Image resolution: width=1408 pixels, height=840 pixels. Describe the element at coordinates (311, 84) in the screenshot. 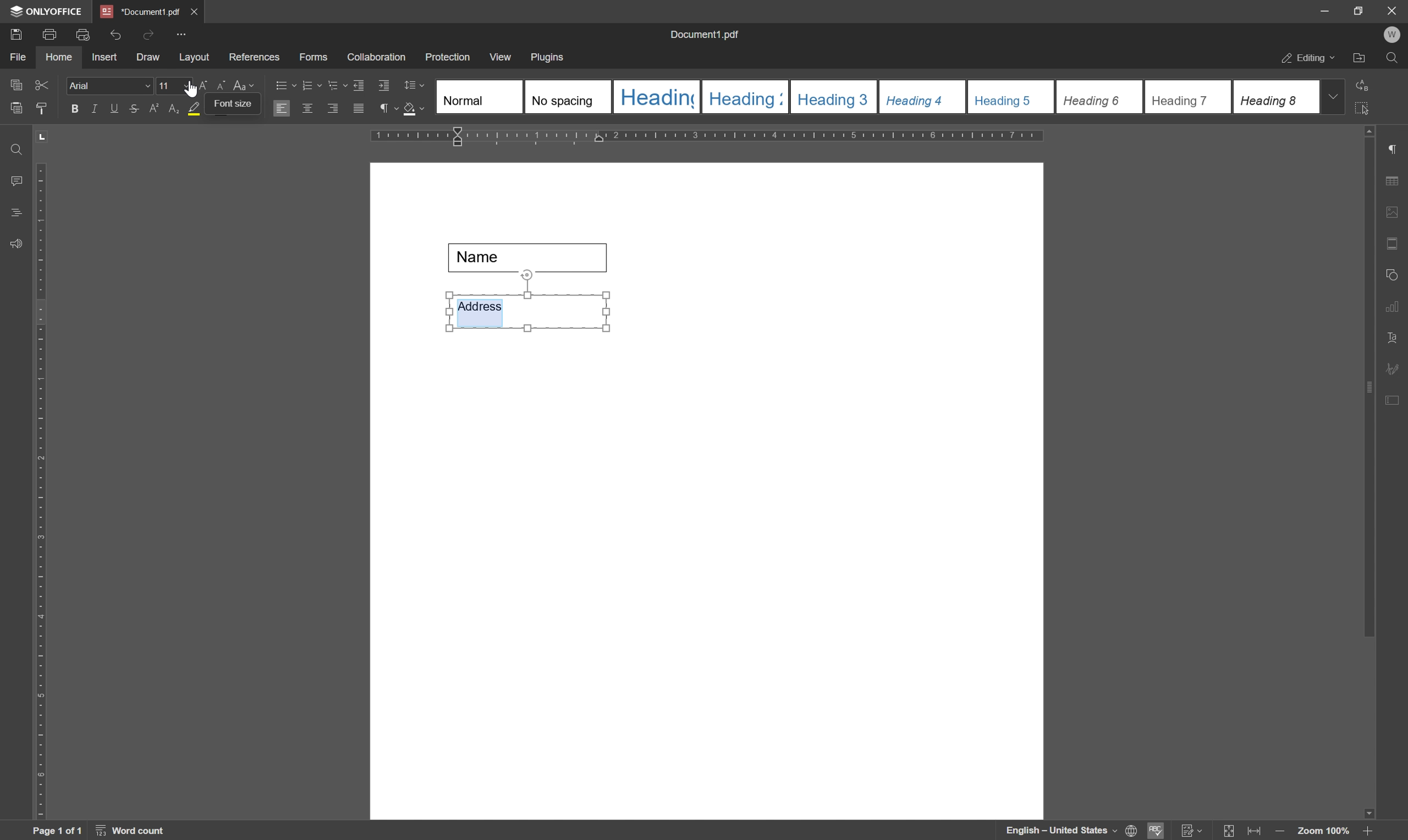

I see `numbering` at that location.